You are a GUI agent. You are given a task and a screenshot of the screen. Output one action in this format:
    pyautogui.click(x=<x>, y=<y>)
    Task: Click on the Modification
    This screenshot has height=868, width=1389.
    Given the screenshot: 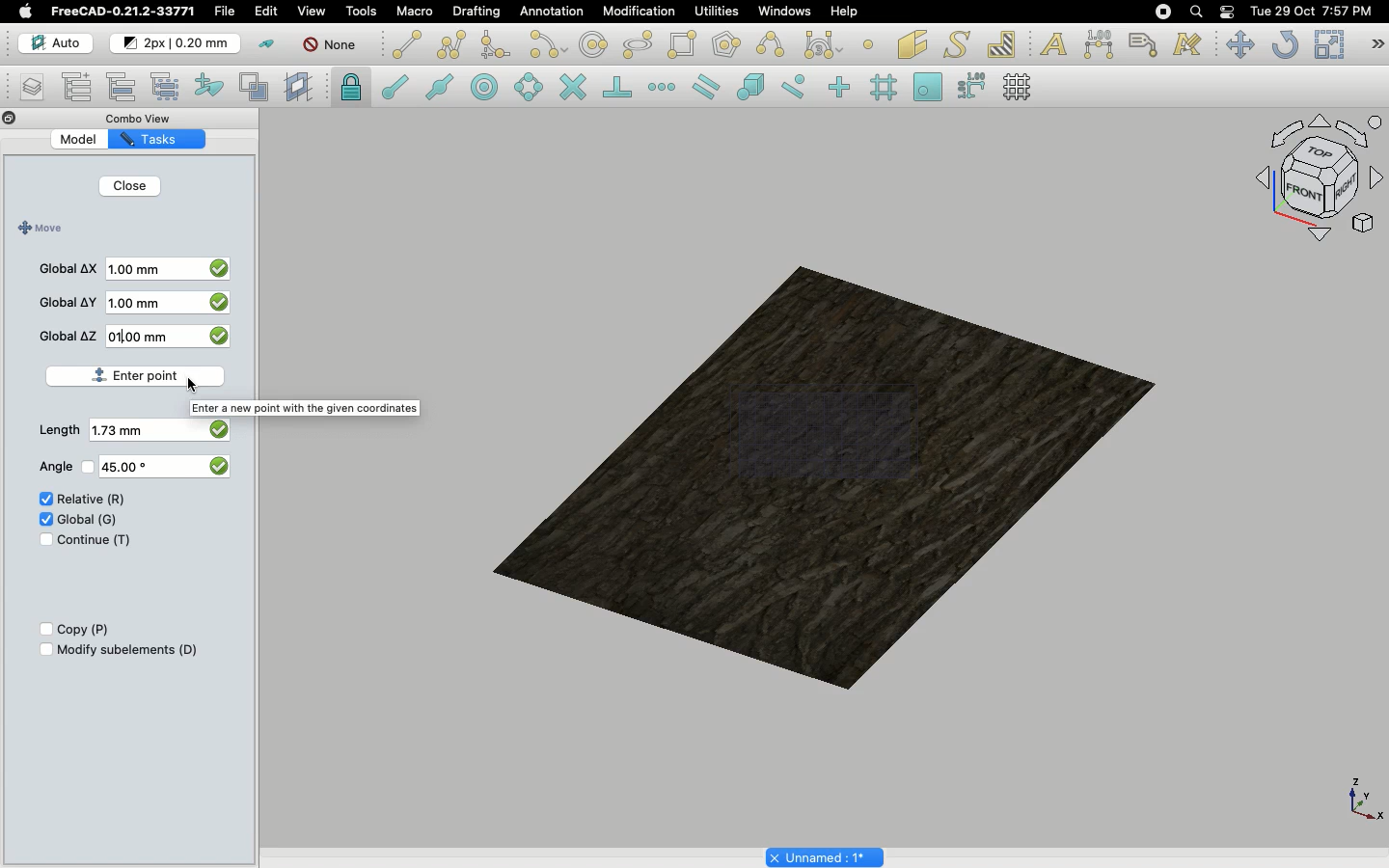 What is the action you would take?
    pyautogui.click(x=643, y=14)
    